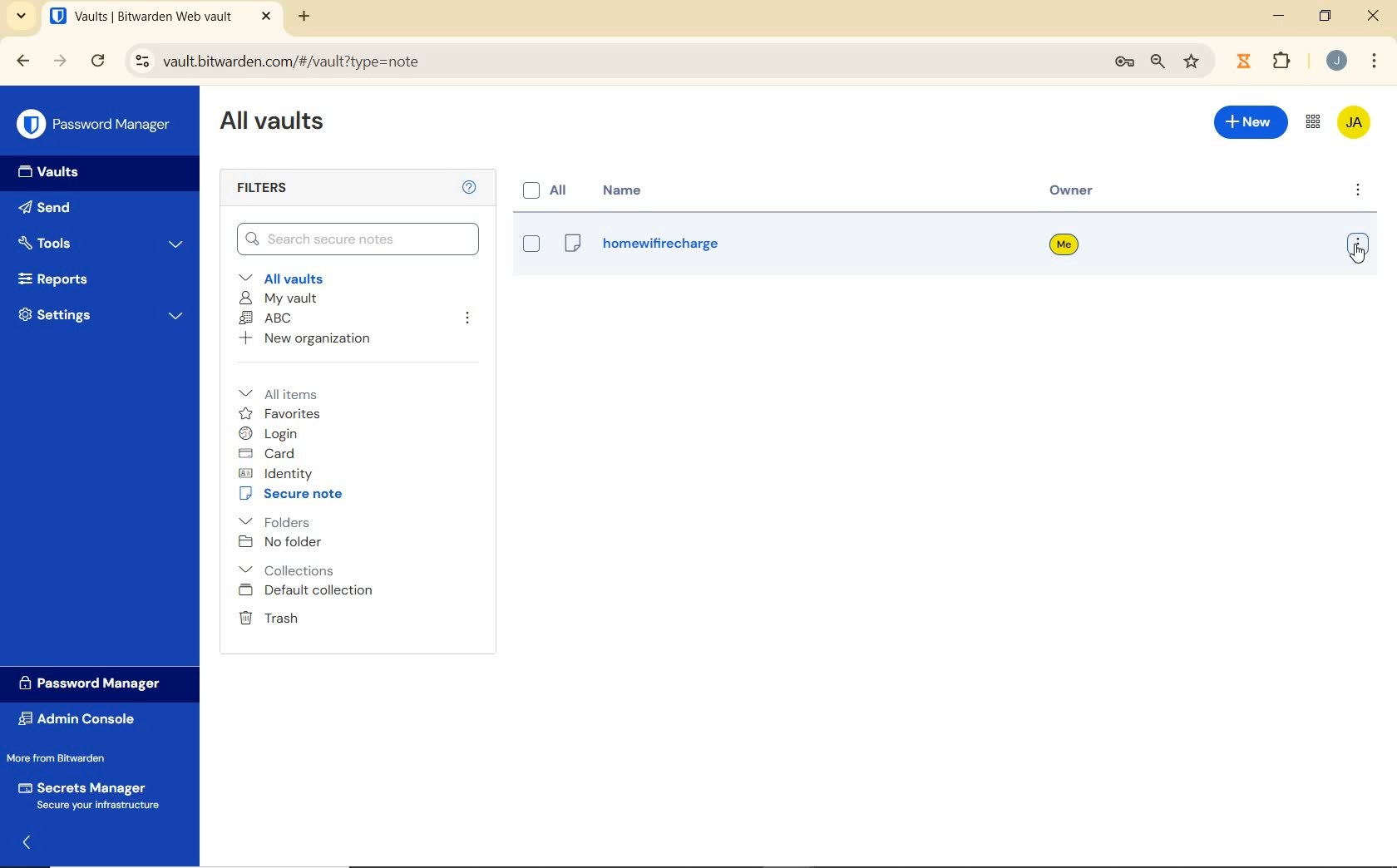 The image size is (1397, 868). What do you see at coordinates (23, 62) in the screenshot?
I see `backward` at bounding box center [23, 62].